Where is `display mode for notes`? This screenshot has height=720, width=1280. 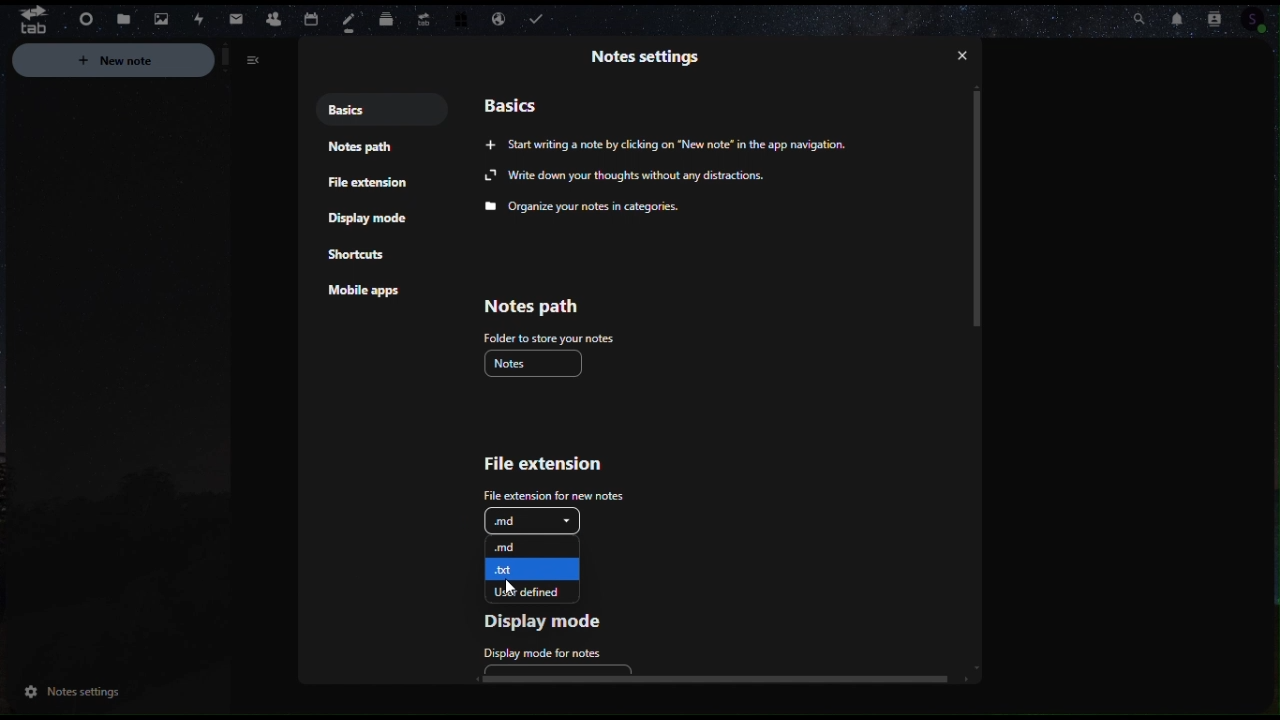 display mode for notes is located at coordinates (538, 651).